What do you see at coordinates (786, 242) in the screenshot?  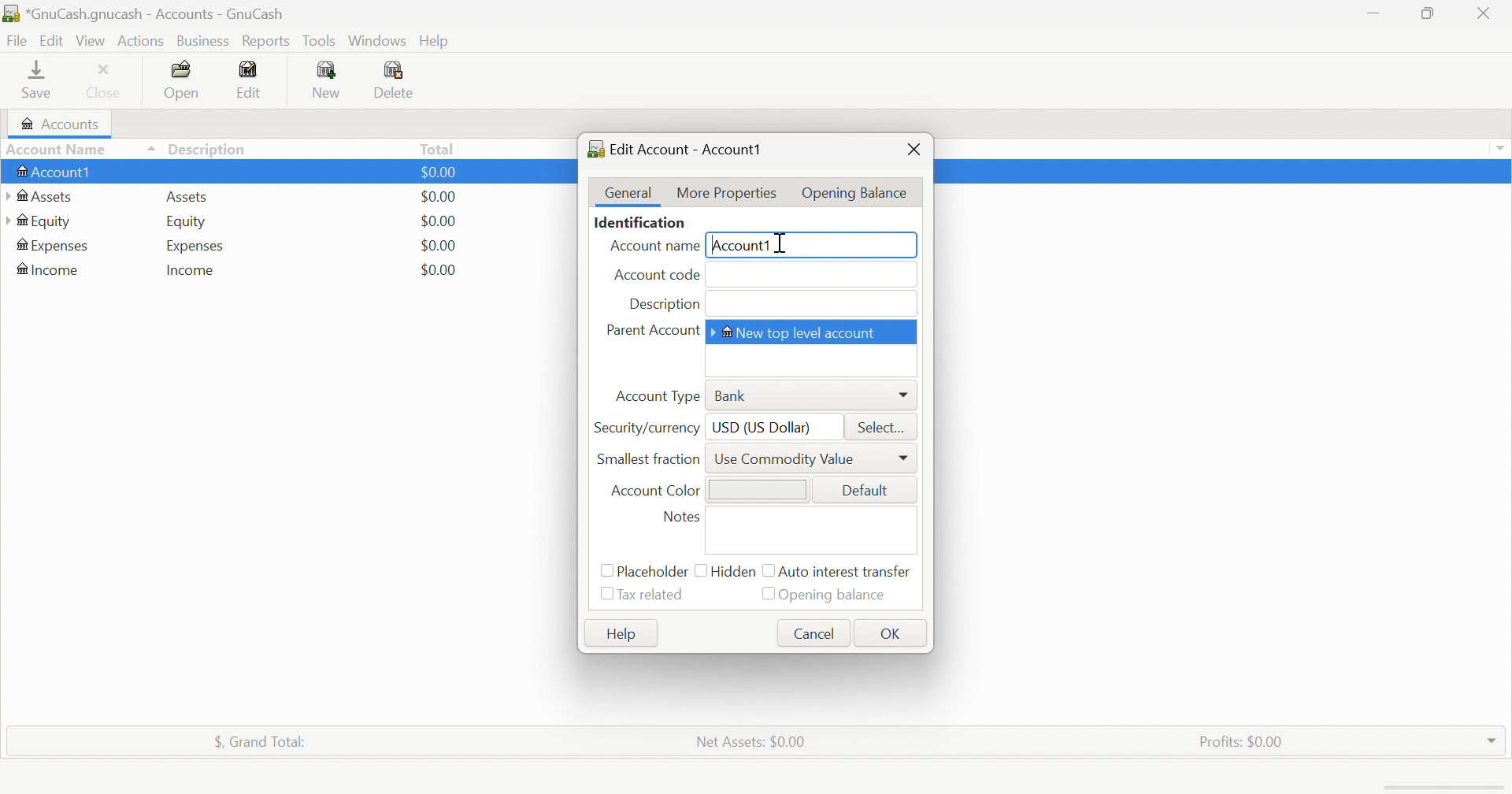 I see `Cursor` at bounding box center [786, 242].